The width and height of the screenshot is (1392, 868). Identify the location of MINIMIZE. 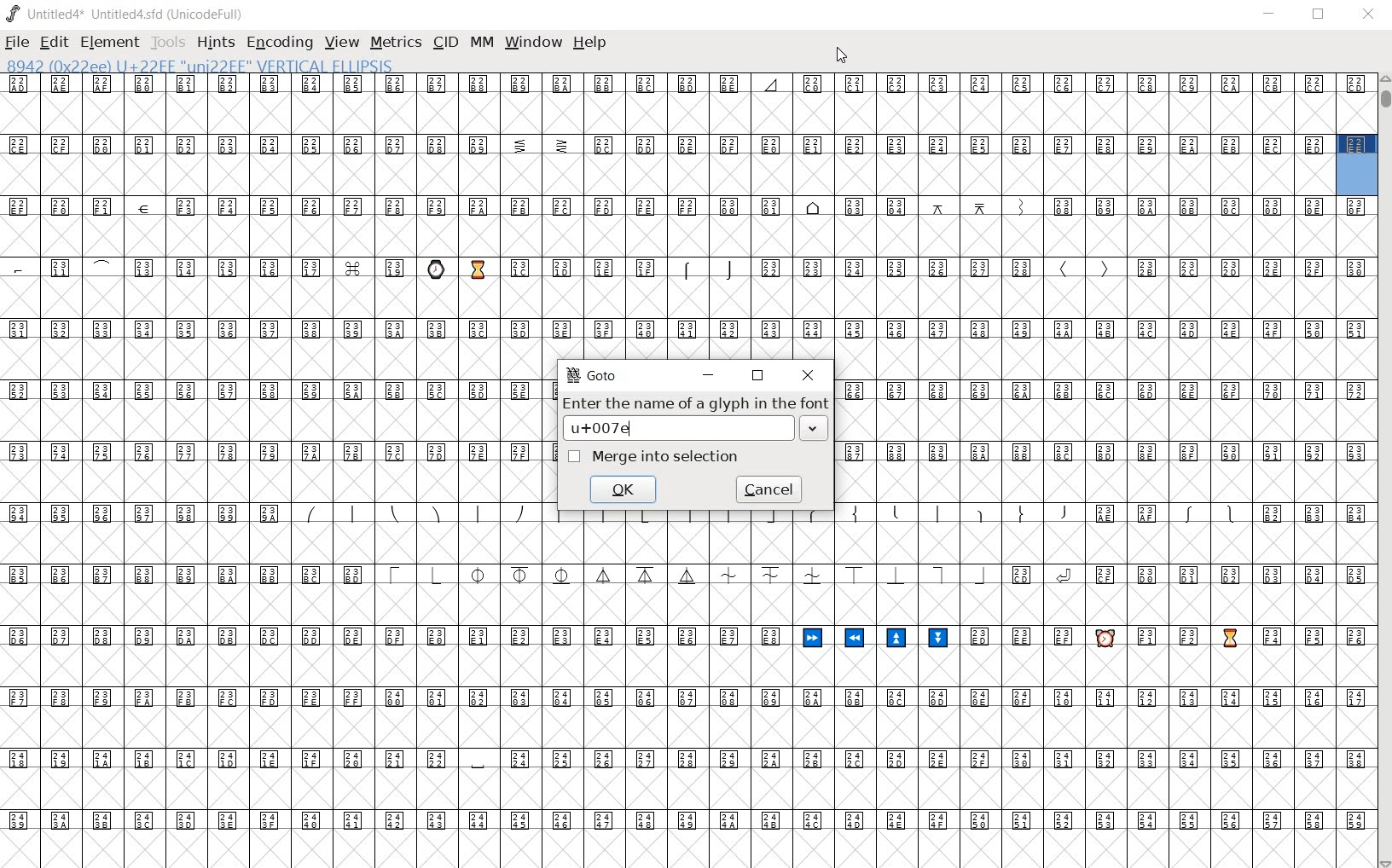
(1272, 16).